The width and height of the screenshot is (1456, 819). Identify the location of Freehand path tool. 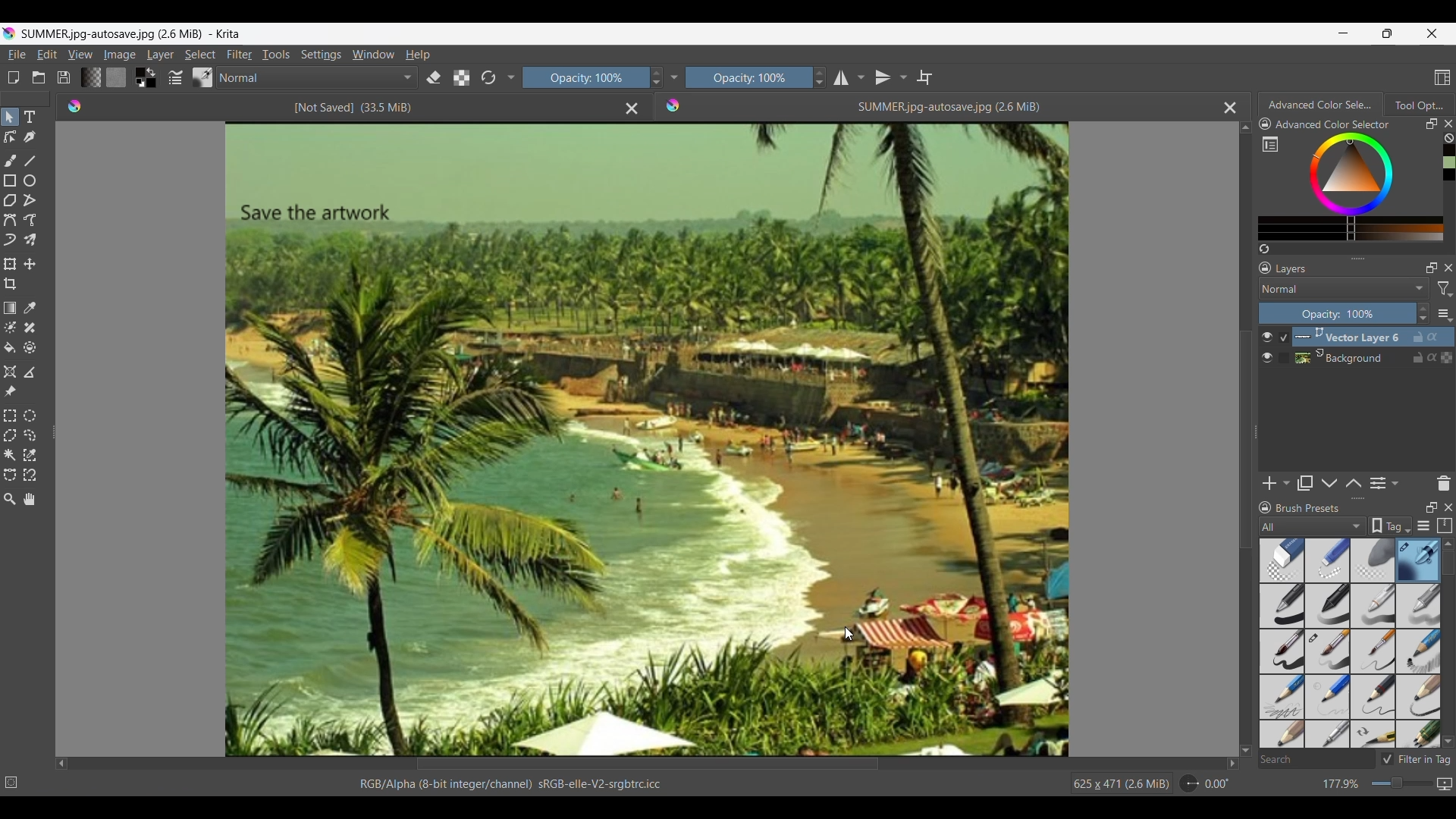
(30, 220).